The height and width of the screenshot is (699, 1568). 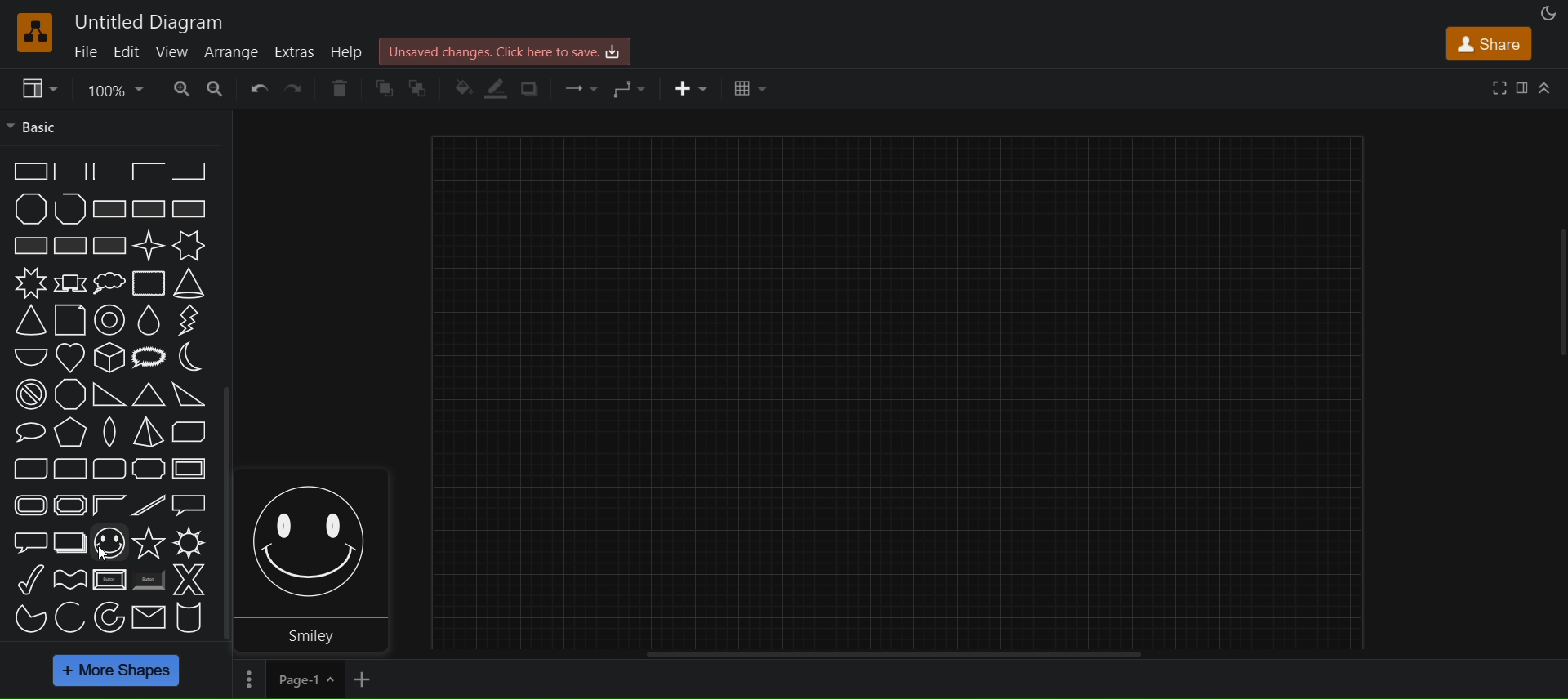 What do you see at coordinates (189, 358) in the screenshot?
I see `moon` at bounding box center [189, 358].